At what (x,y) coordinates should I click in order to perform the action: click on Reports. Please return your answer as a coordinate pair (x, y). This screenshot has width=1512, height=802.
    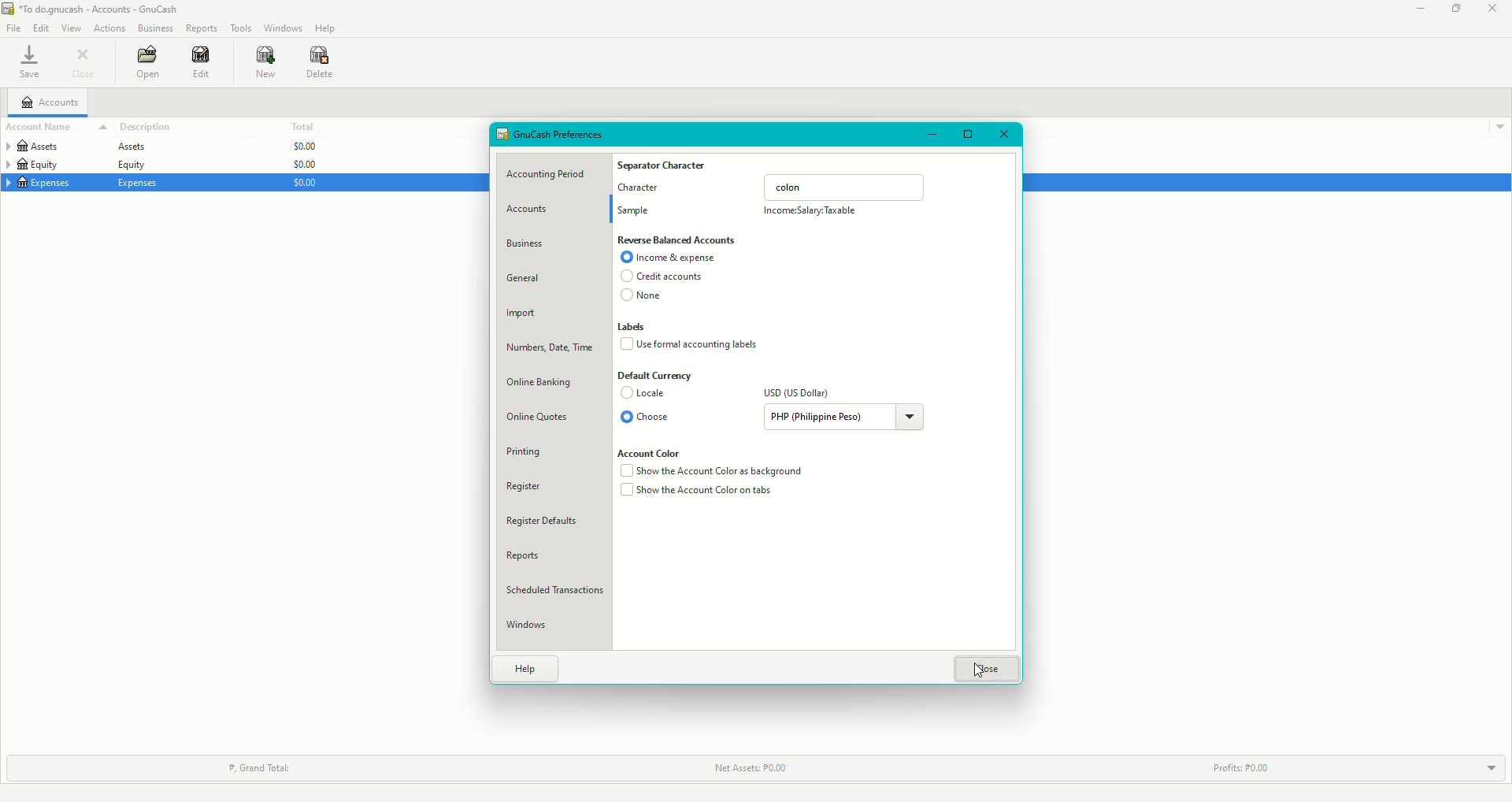
    Looking at the image, I should click on (522, 556).